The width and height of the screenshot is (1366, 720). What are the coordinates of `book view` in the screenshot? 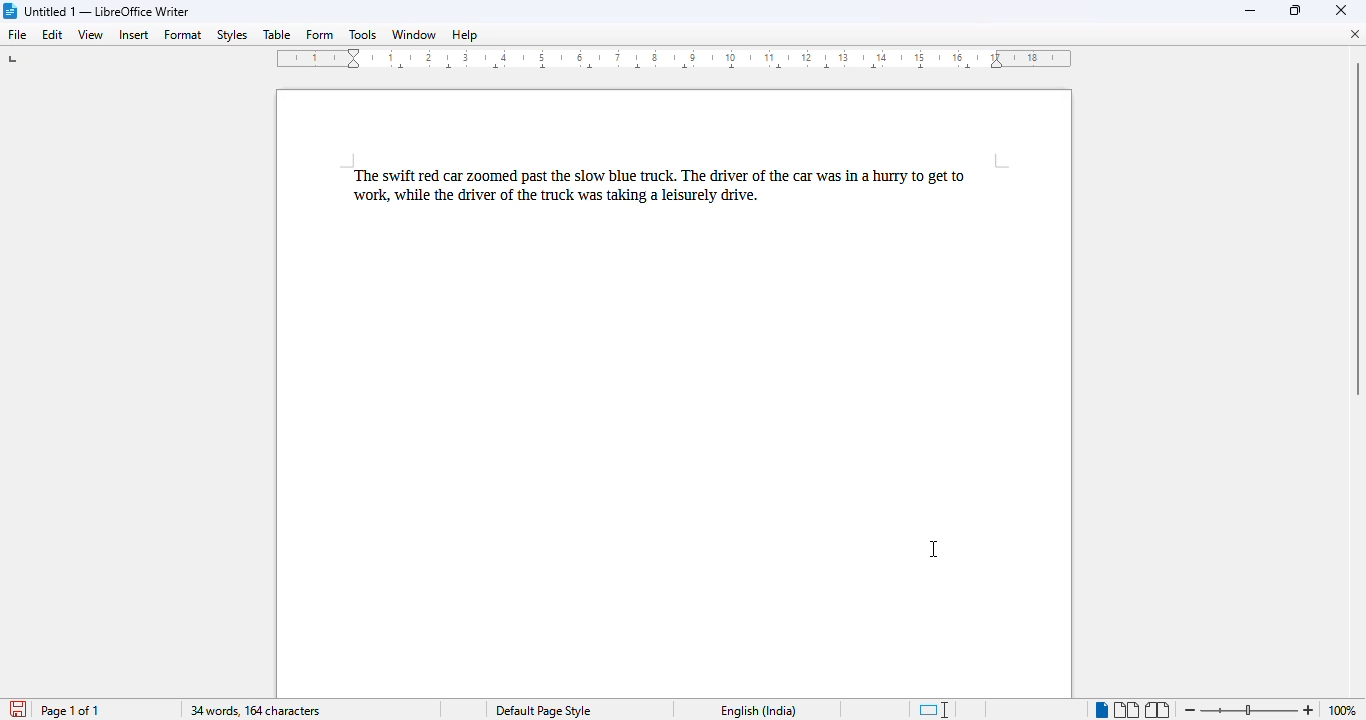 It's located at (1159, 711).